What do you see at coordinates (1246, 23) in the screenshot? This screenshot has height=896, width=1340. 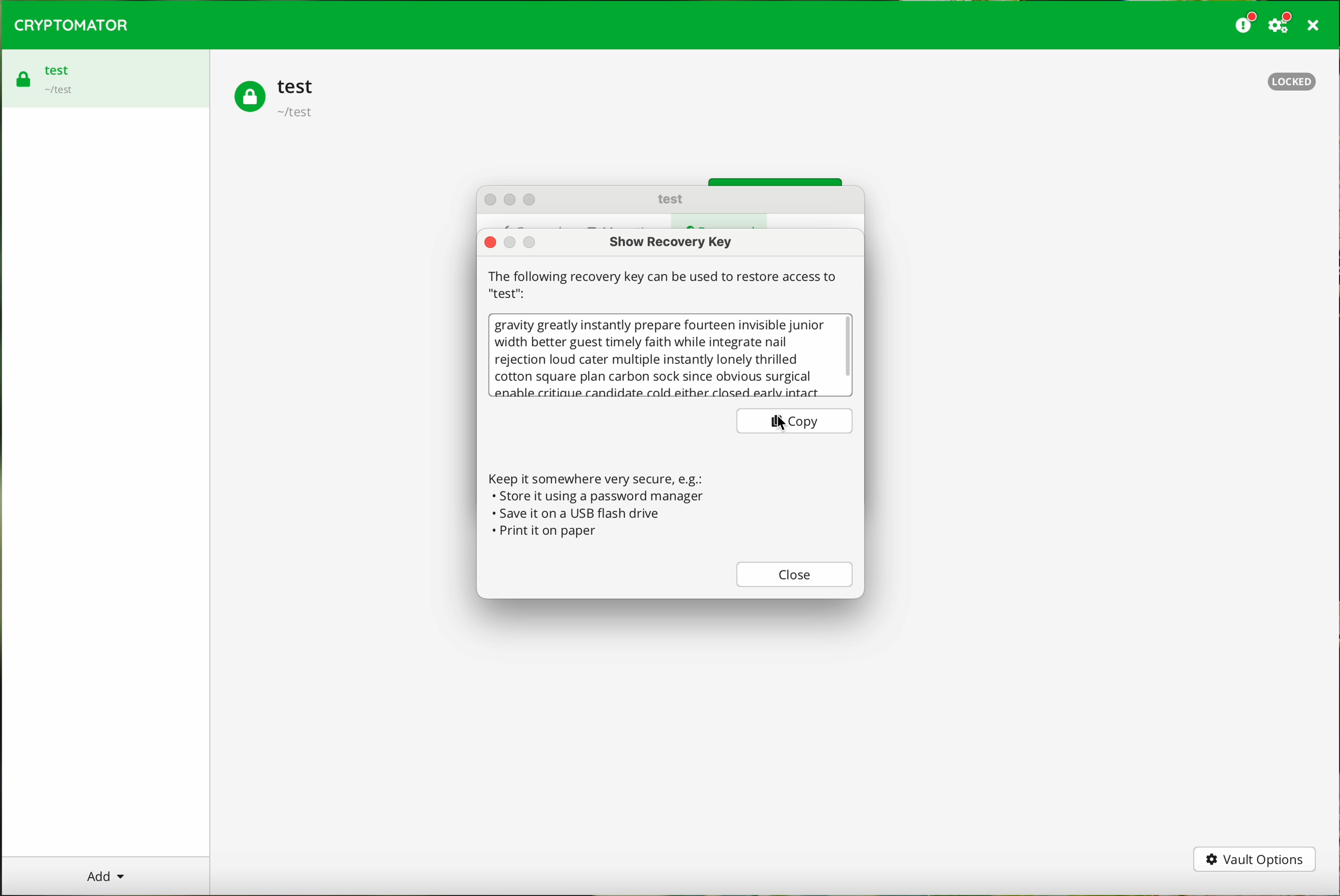 I see `donate` at bounding box center [1246, 23].